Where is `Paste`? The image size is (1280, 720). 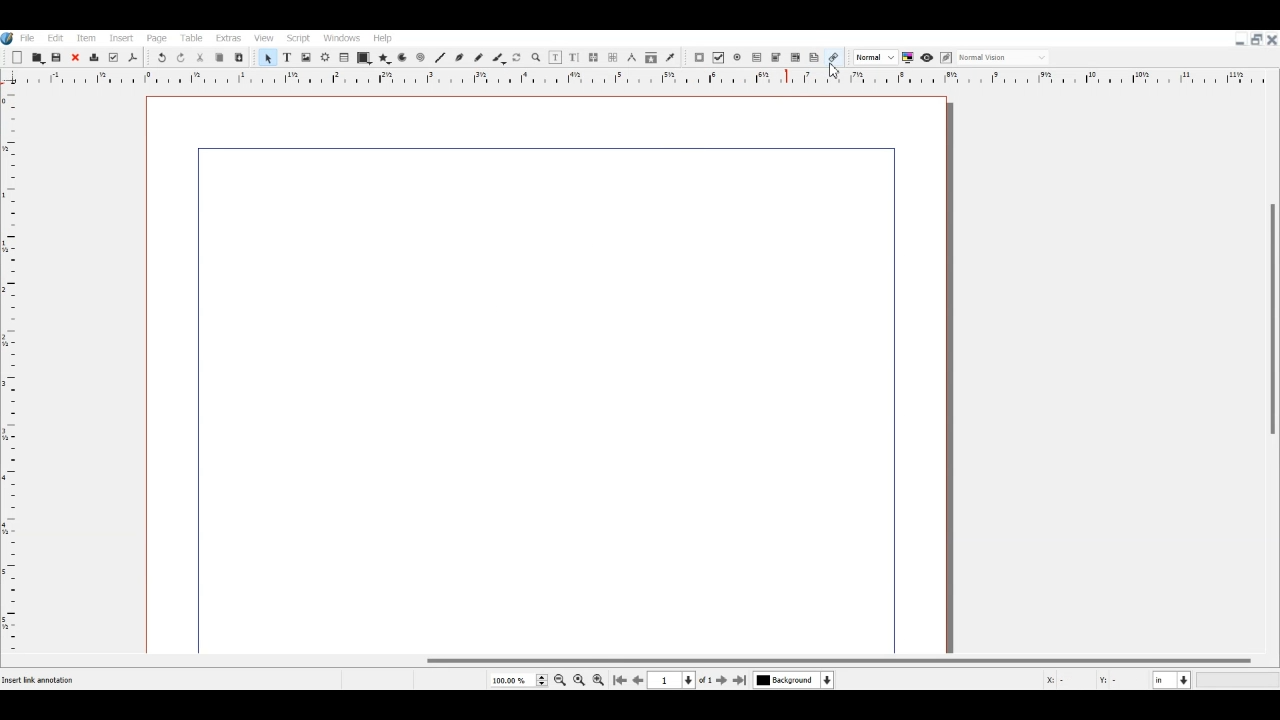
Paste is located at coordinates (239, 57).